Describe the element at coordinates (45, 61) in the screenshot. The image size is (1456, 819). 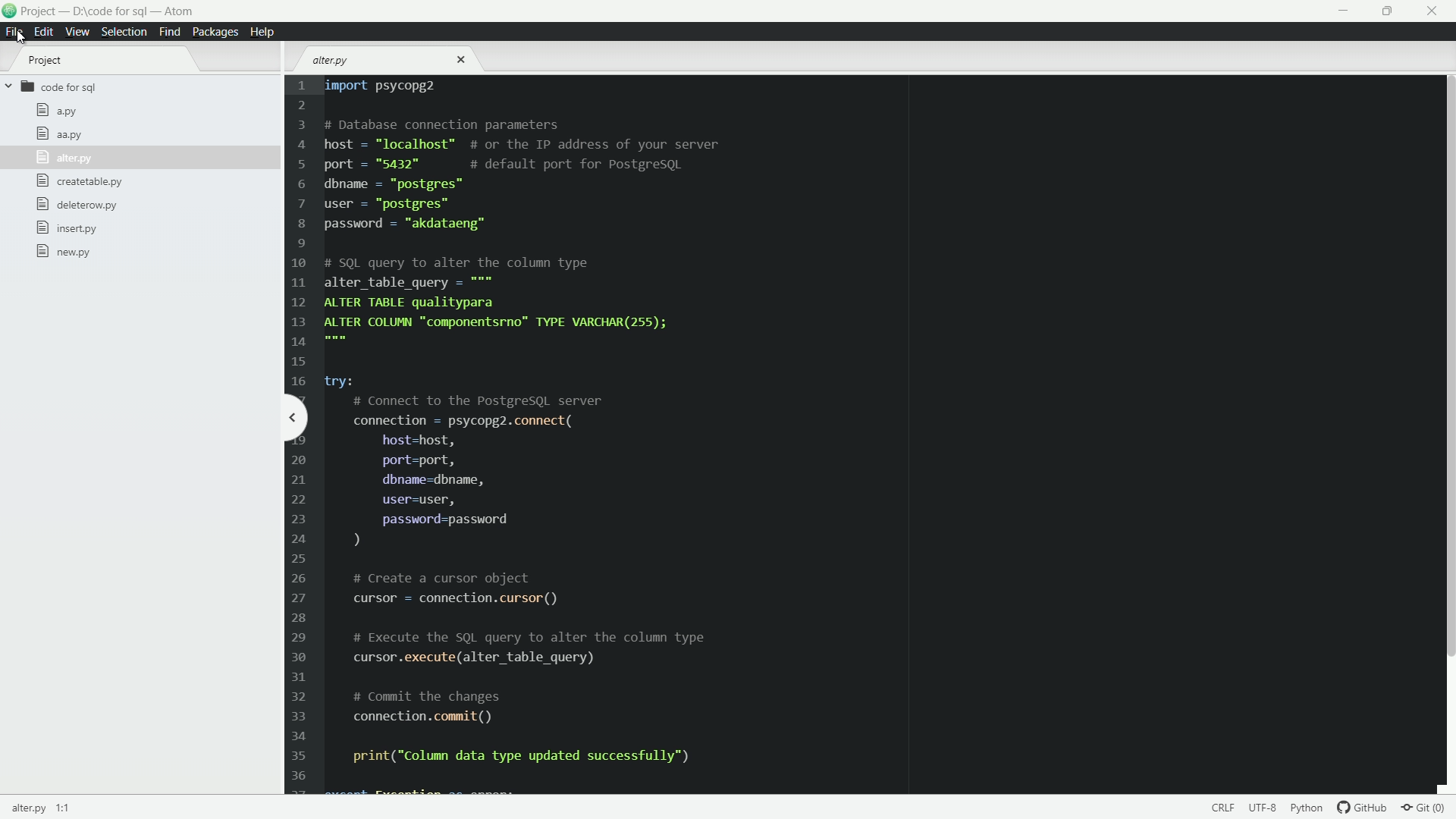
I see `project tab` at that location.